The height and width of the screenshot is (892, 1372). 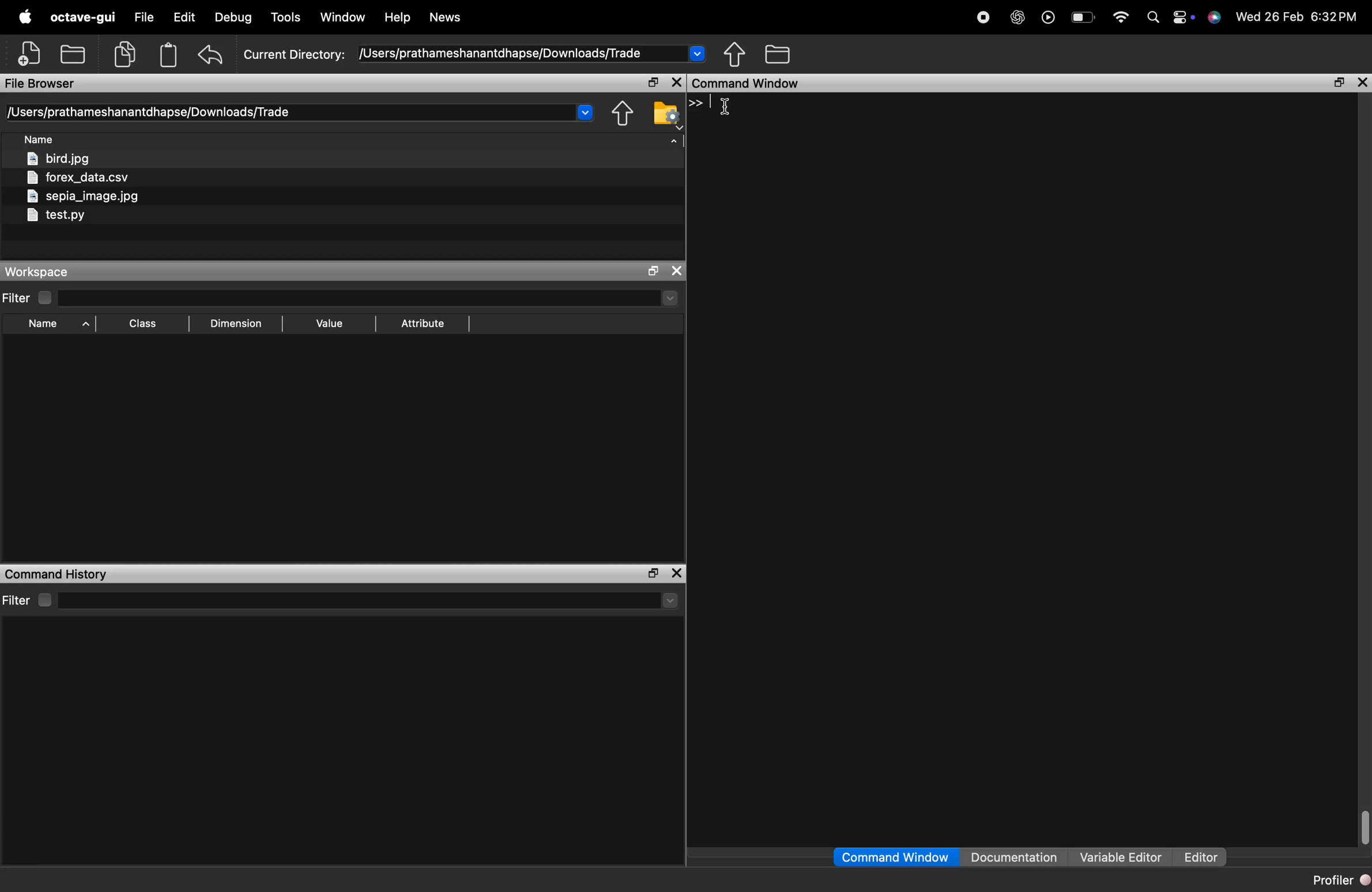 What do you see at coordinates (43, 272) in the screenshot?
I see `workspace` at bounding box center [43, 272].